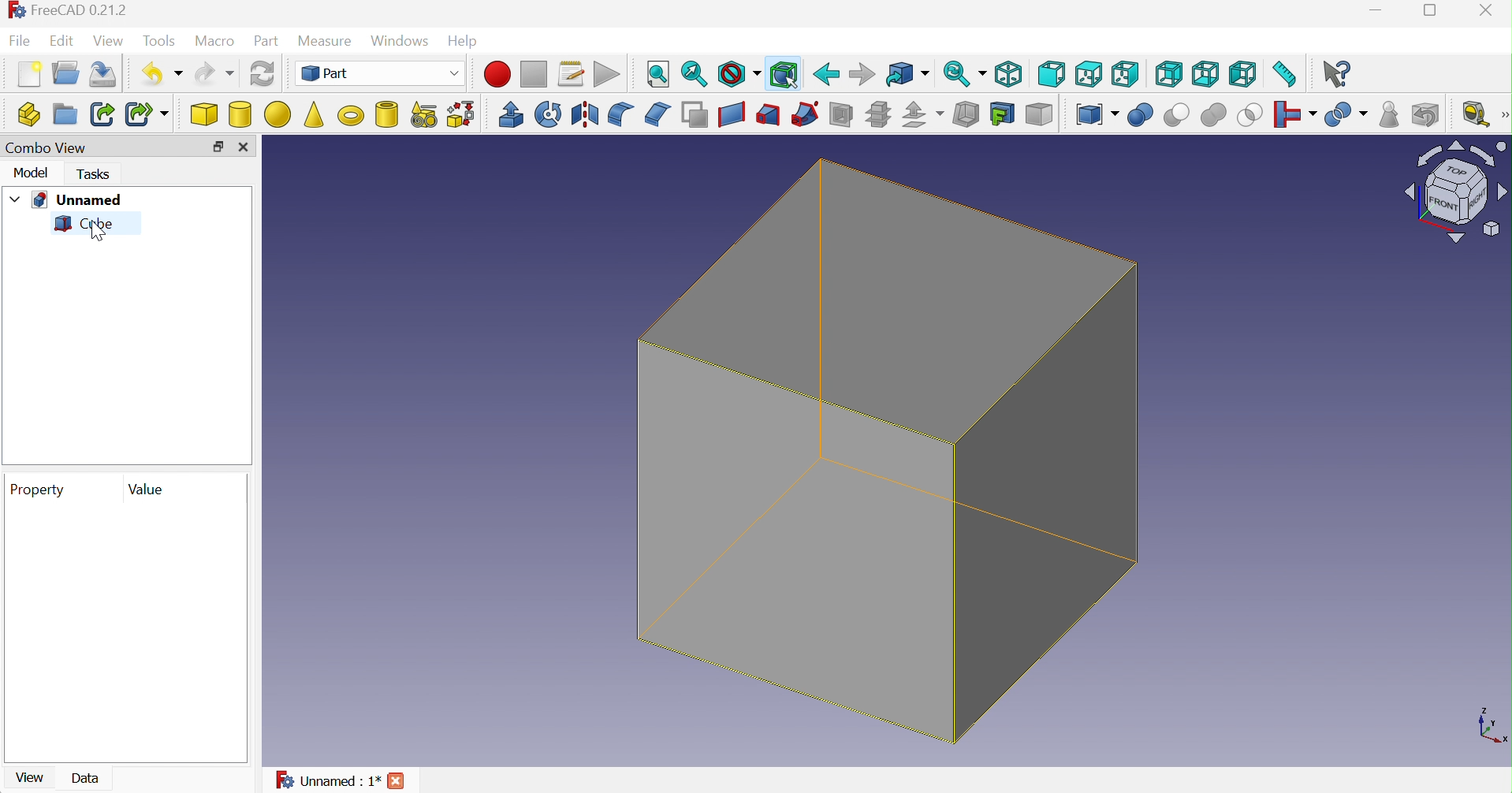  What do you see at coordinates (1097, 115) in the screenshot?
I see `Compound tools` at bounding box center [1097, 115].